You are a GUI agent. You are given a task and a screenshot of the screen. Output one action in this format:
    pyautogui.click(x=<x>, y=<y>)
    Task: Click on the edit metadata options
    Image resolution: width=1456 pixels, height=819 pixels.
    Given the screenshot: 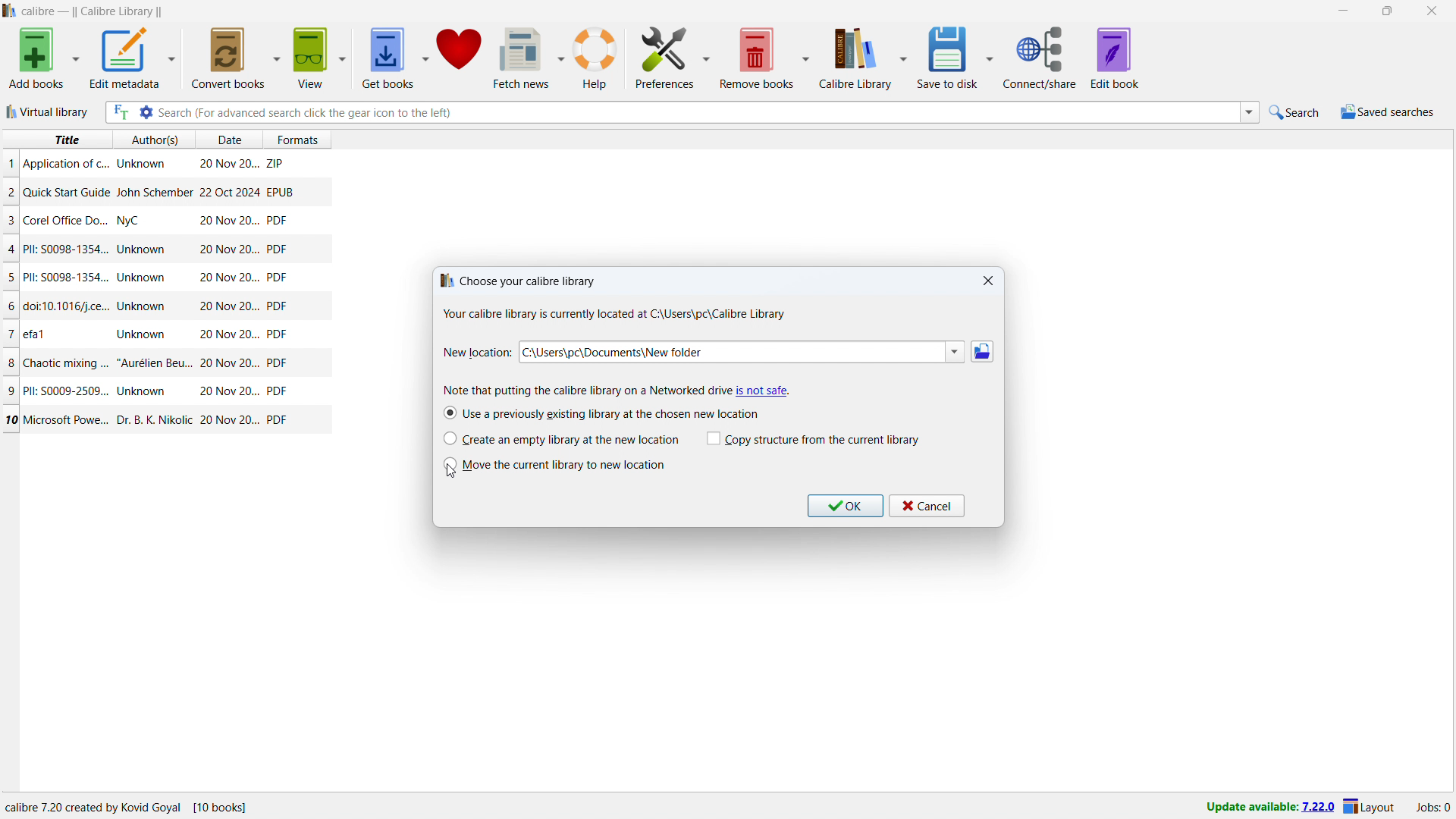 What is the action you would take?
    pyautogui.click(x=171, y=58)
    